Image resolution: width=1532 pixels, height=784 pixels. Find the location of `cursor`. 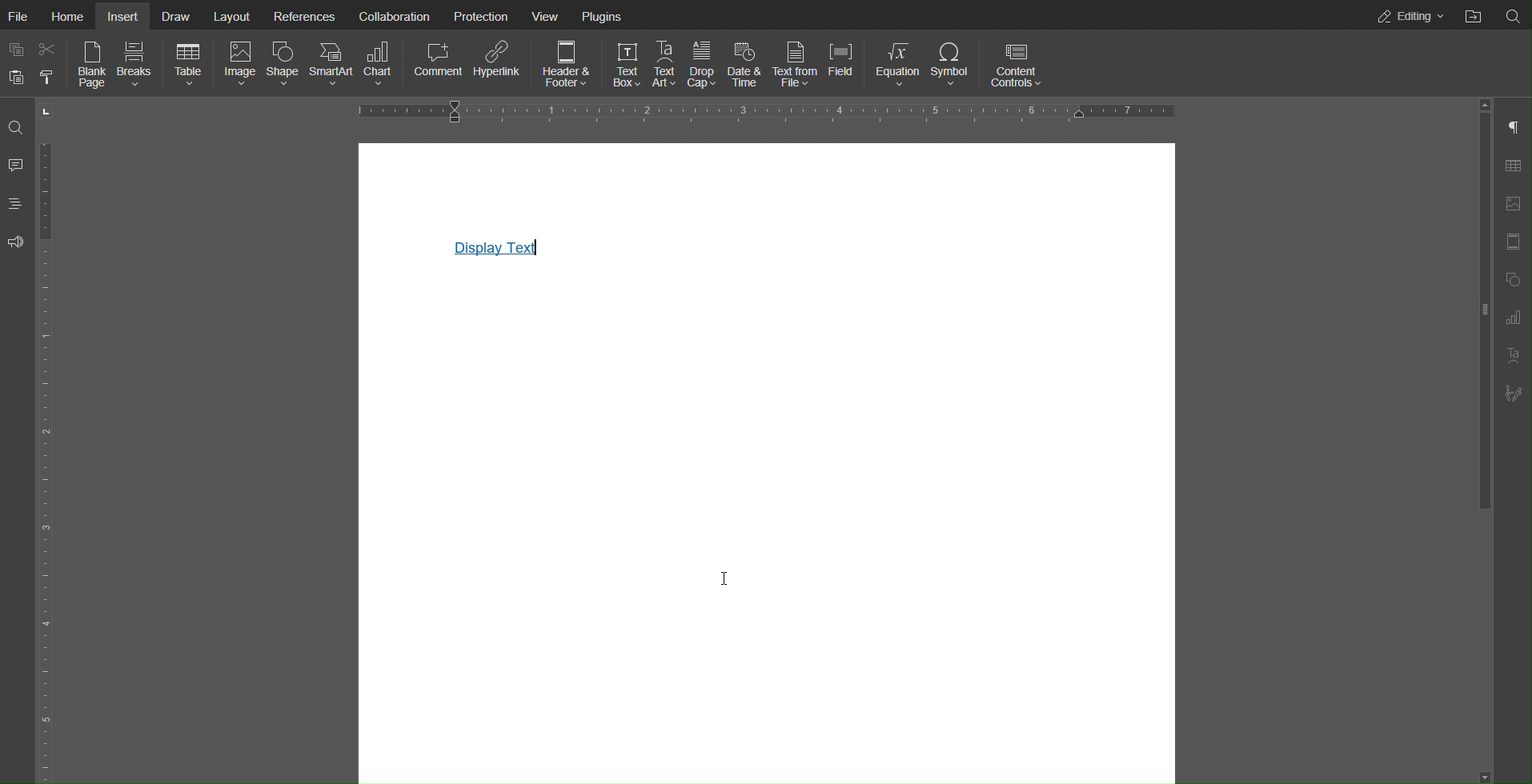

cursor is located at coordinates (721, 581).